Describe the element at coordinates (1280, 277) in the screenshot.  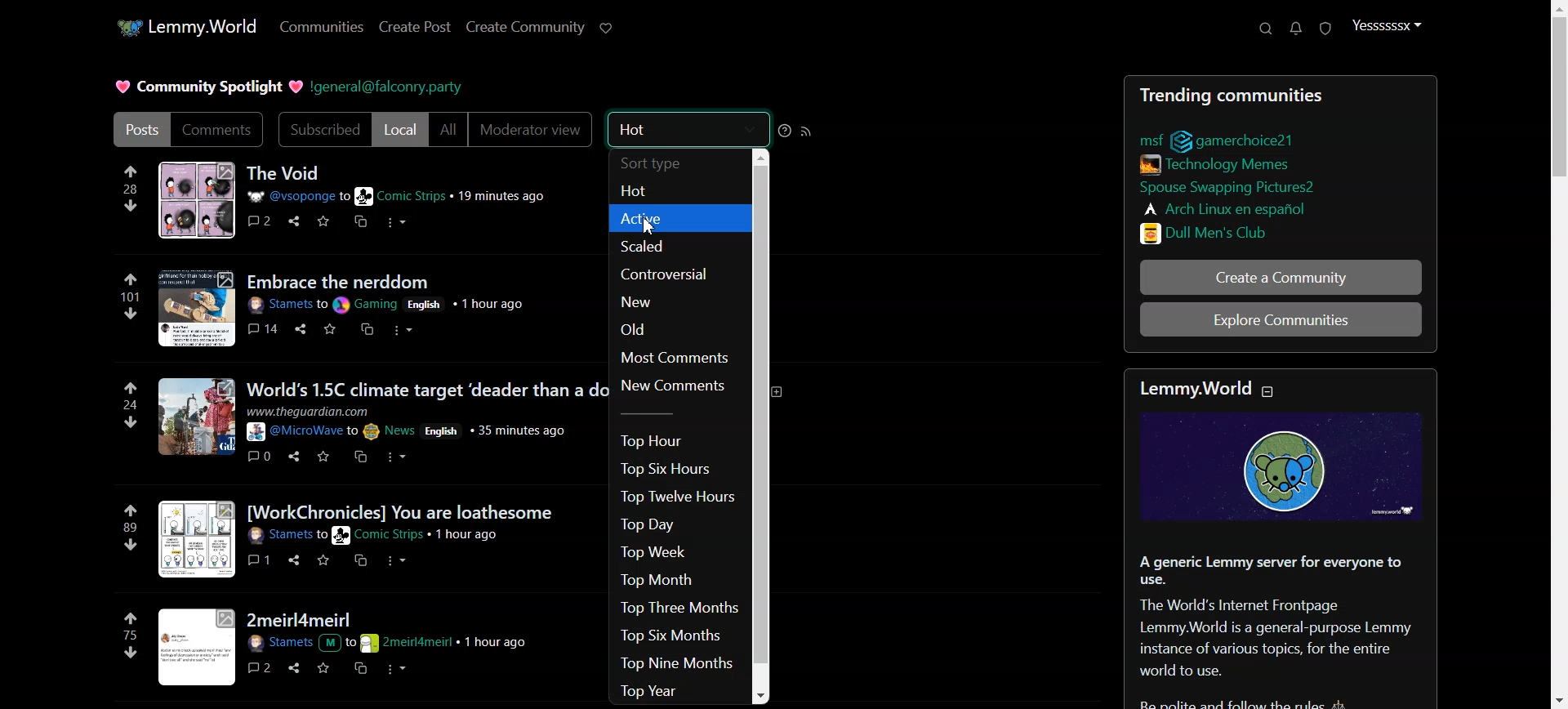
I see `Create a Community` at that location.